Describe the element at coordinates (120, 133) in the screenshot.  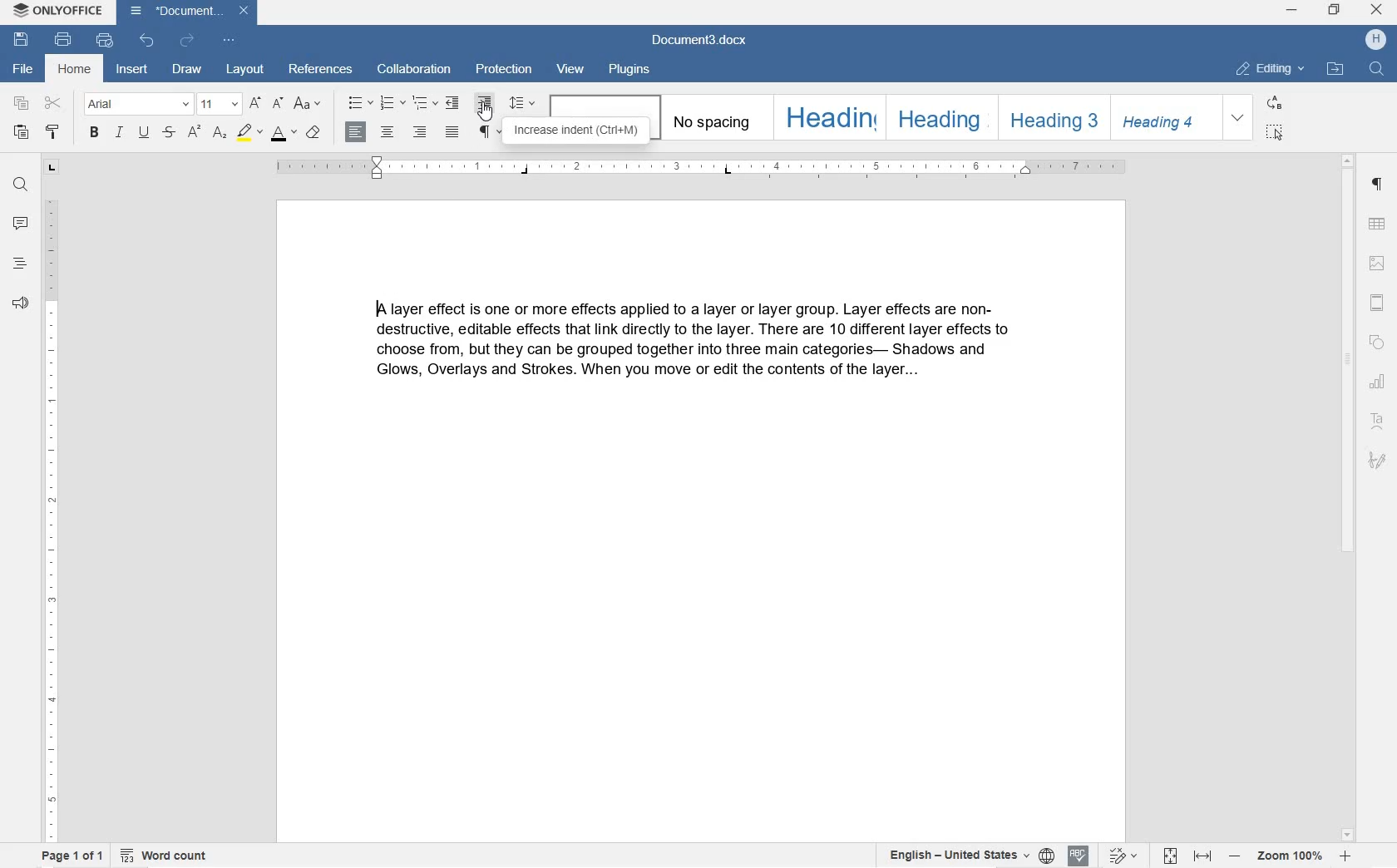
I see `ITALIC` at that location.